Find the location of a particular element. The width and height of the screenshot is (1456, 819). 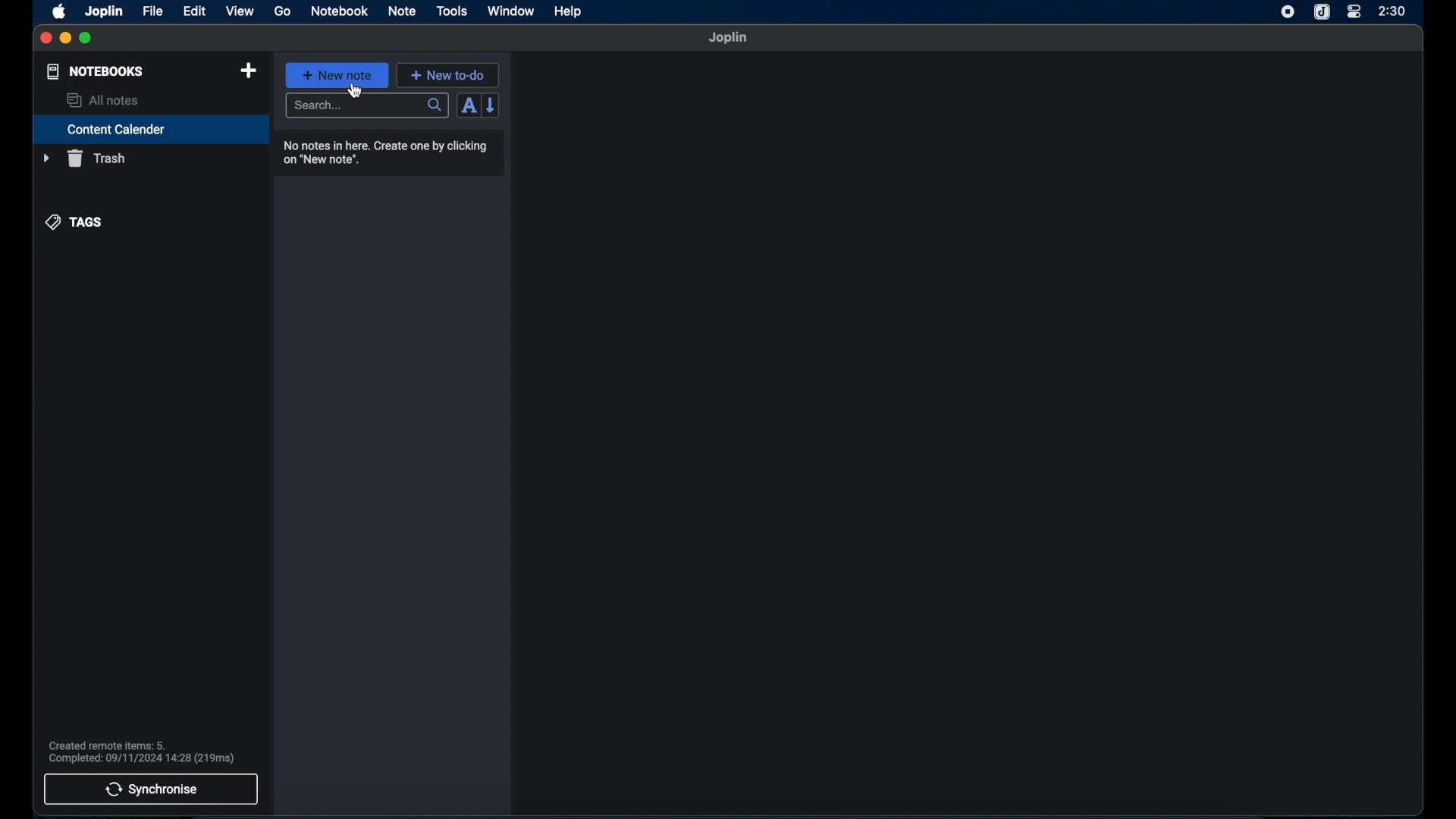

maximize is located at coordinates (86, 39).